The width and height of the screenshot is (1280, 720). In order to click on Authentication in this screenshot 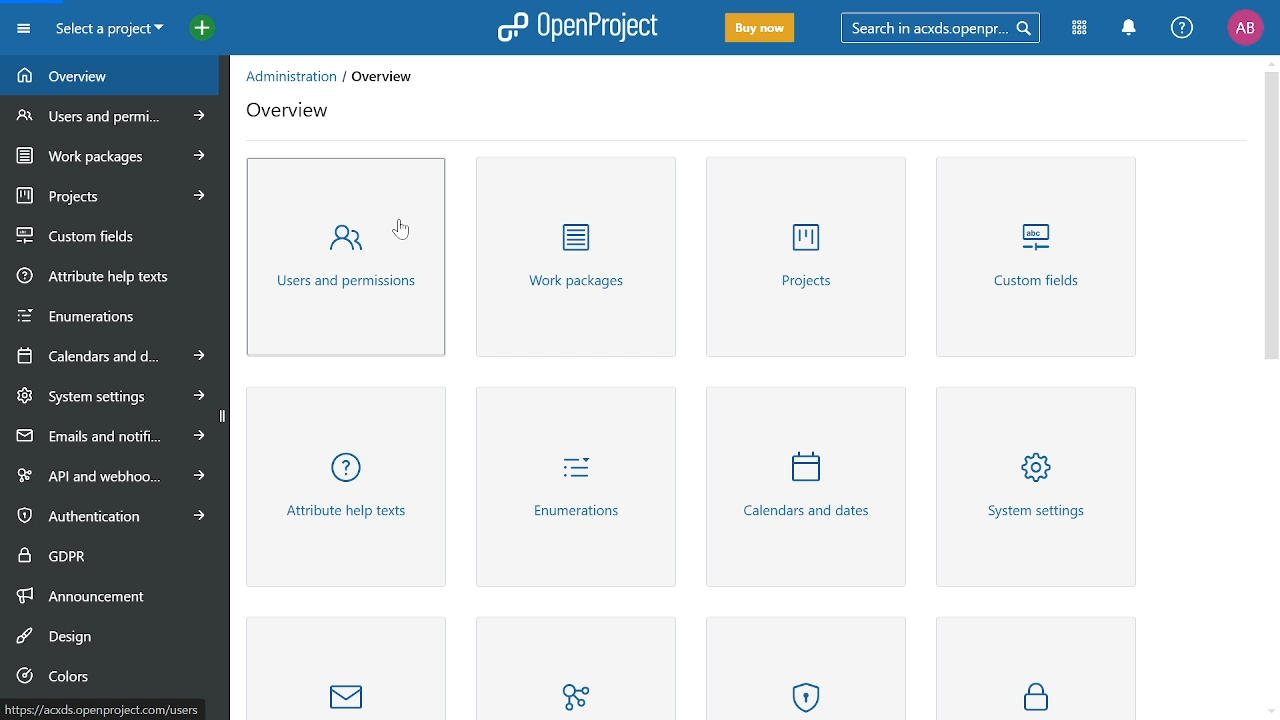, I will do `click(113, 518)`.